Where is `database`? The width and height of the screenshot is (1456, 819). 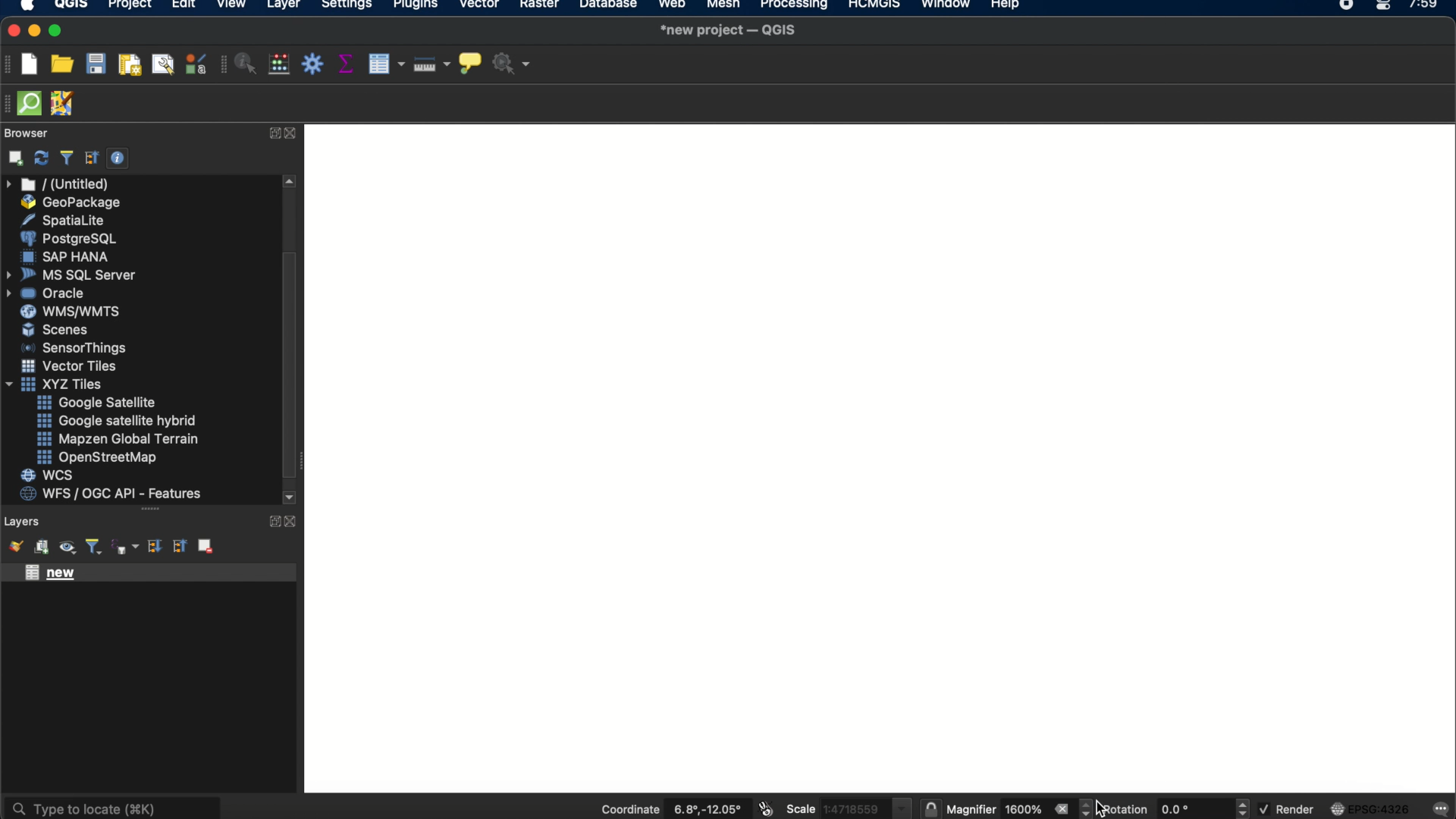
database is located at coordinates (607, 6).